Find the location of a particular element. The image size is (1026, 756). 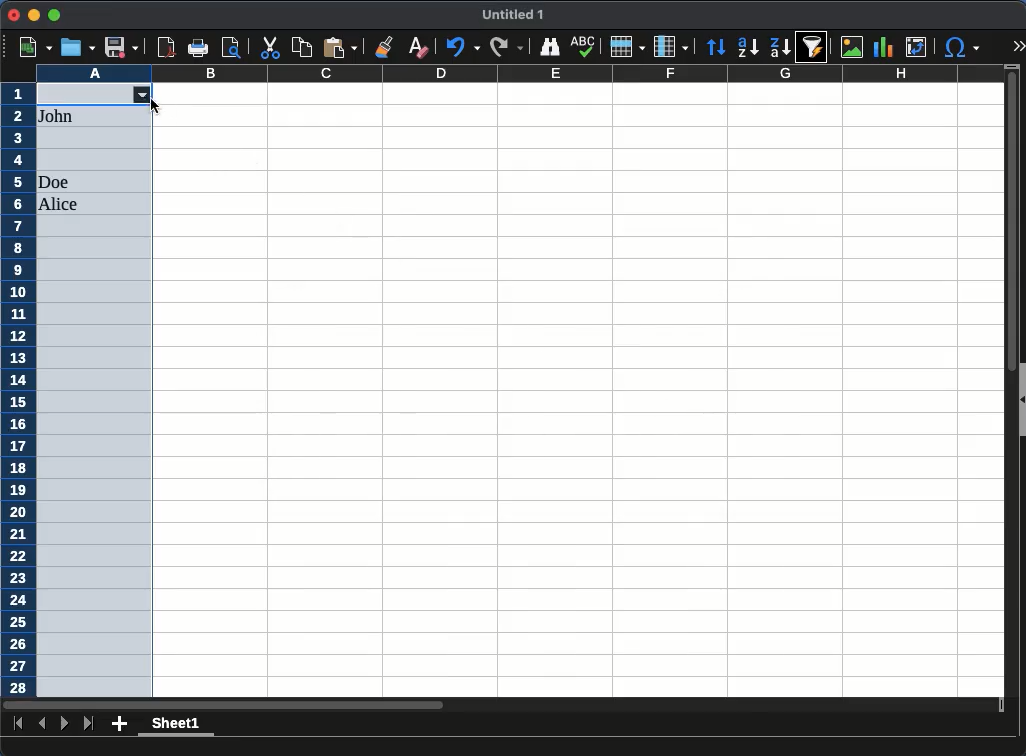

save is located at coordinates (120, 47).